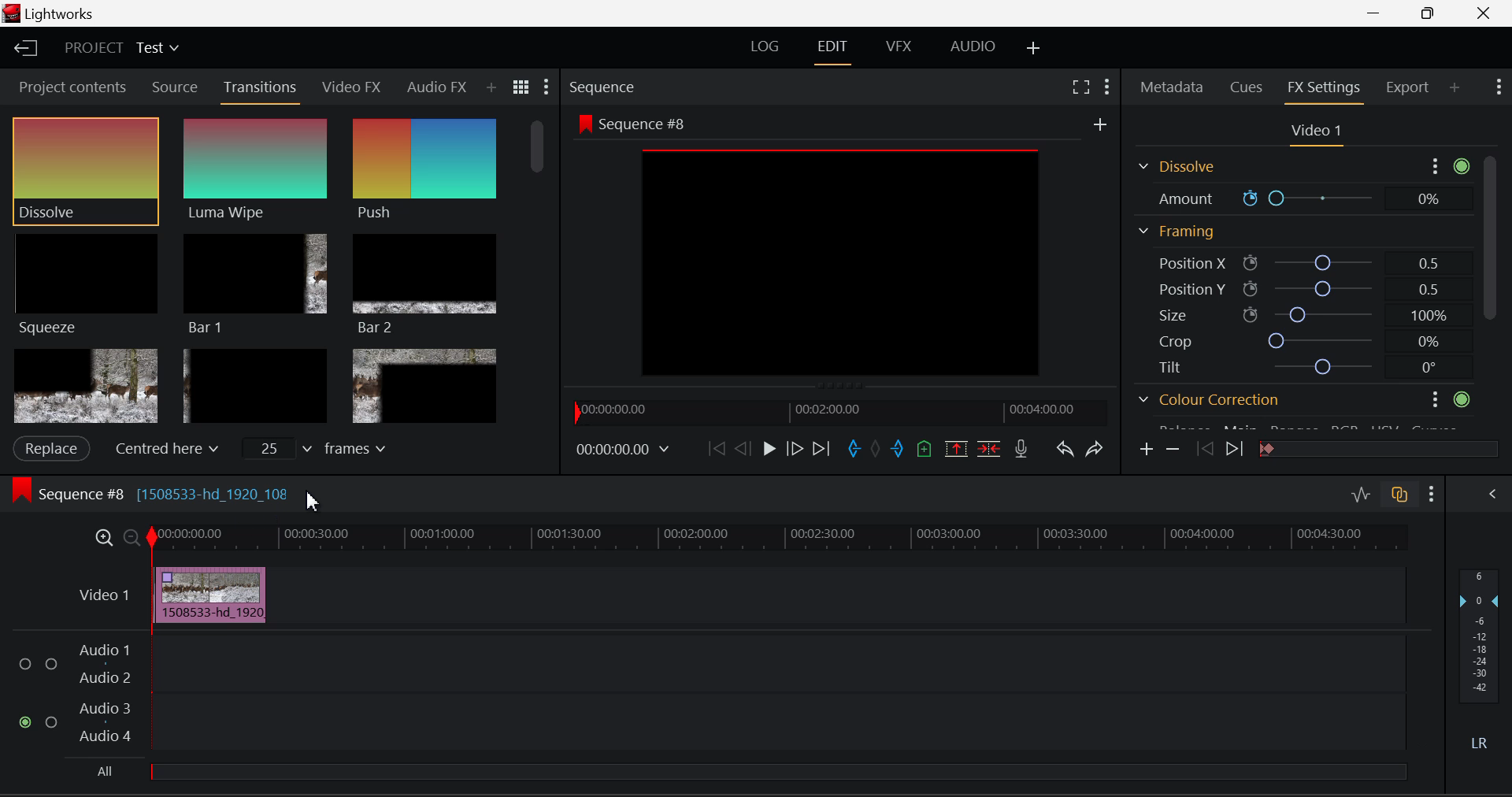 The height and width of the screenshot is (797, 1512). What do you see at coordinates (1022, 449) in the screenshot?
I see `Record Voiceover` at bounding box center [1022, 449].